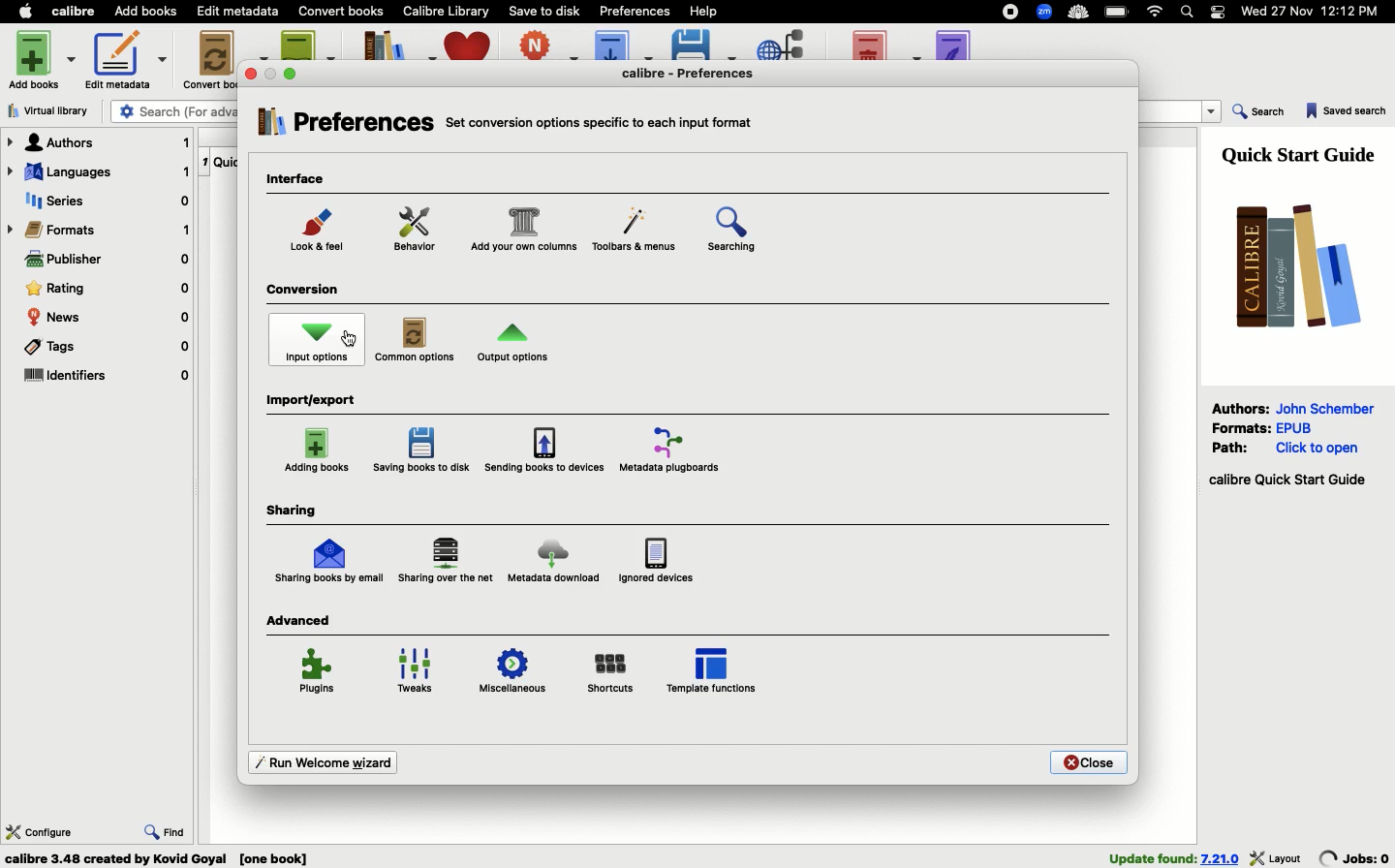 The width and height of the screenshot is (1395, 868). I want to click on Shortcuts, so click(611, 671).